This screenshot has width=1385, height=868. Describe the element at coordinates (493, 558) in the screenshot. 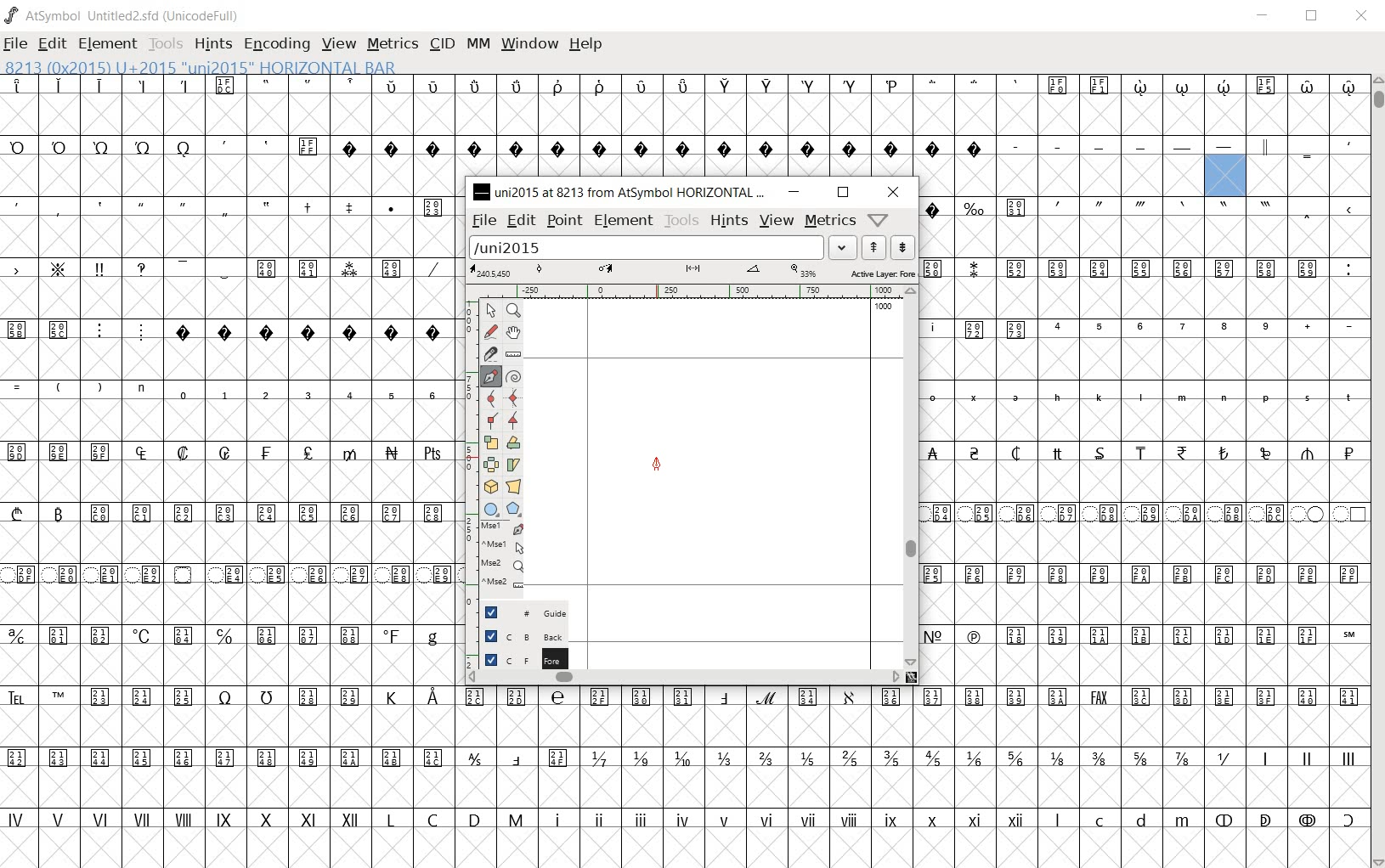

I see `mse1 mse1 mse2 mse2` at that location.